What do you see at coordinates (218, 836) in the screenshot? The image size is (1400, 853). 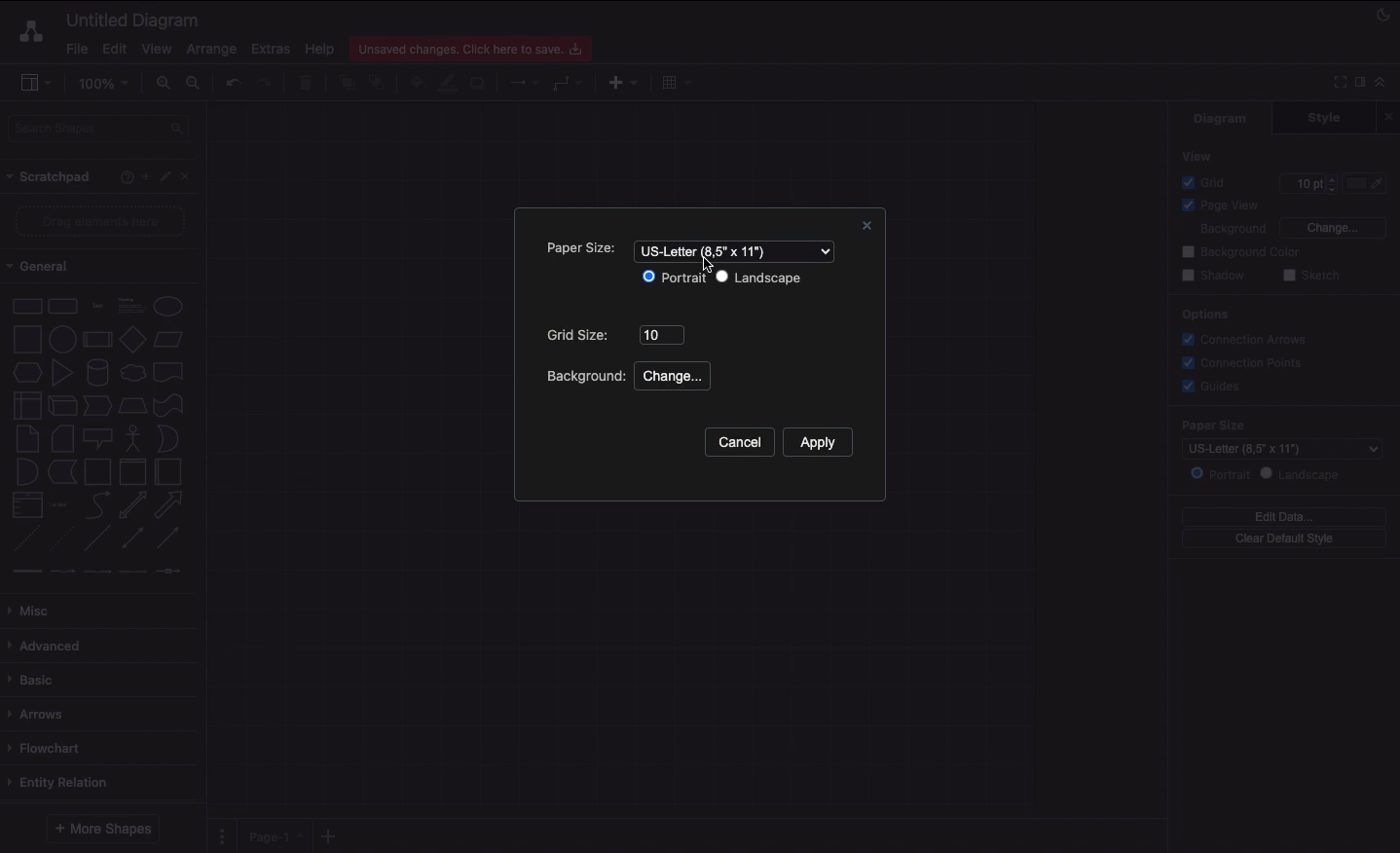 I see `Pages` at bounding box center [218, 836].